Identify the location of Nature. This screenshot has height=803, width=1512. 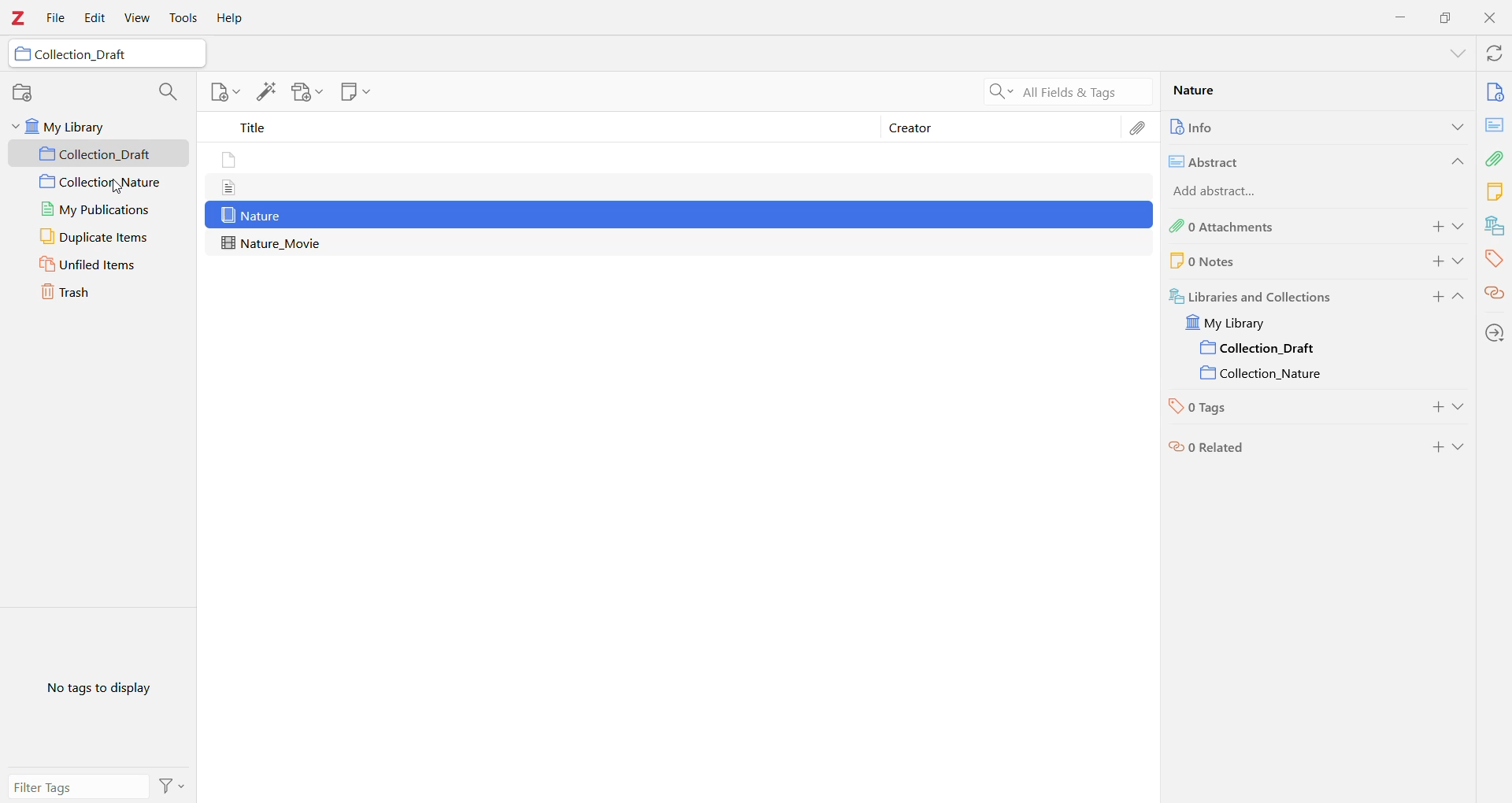
(1247, 93).